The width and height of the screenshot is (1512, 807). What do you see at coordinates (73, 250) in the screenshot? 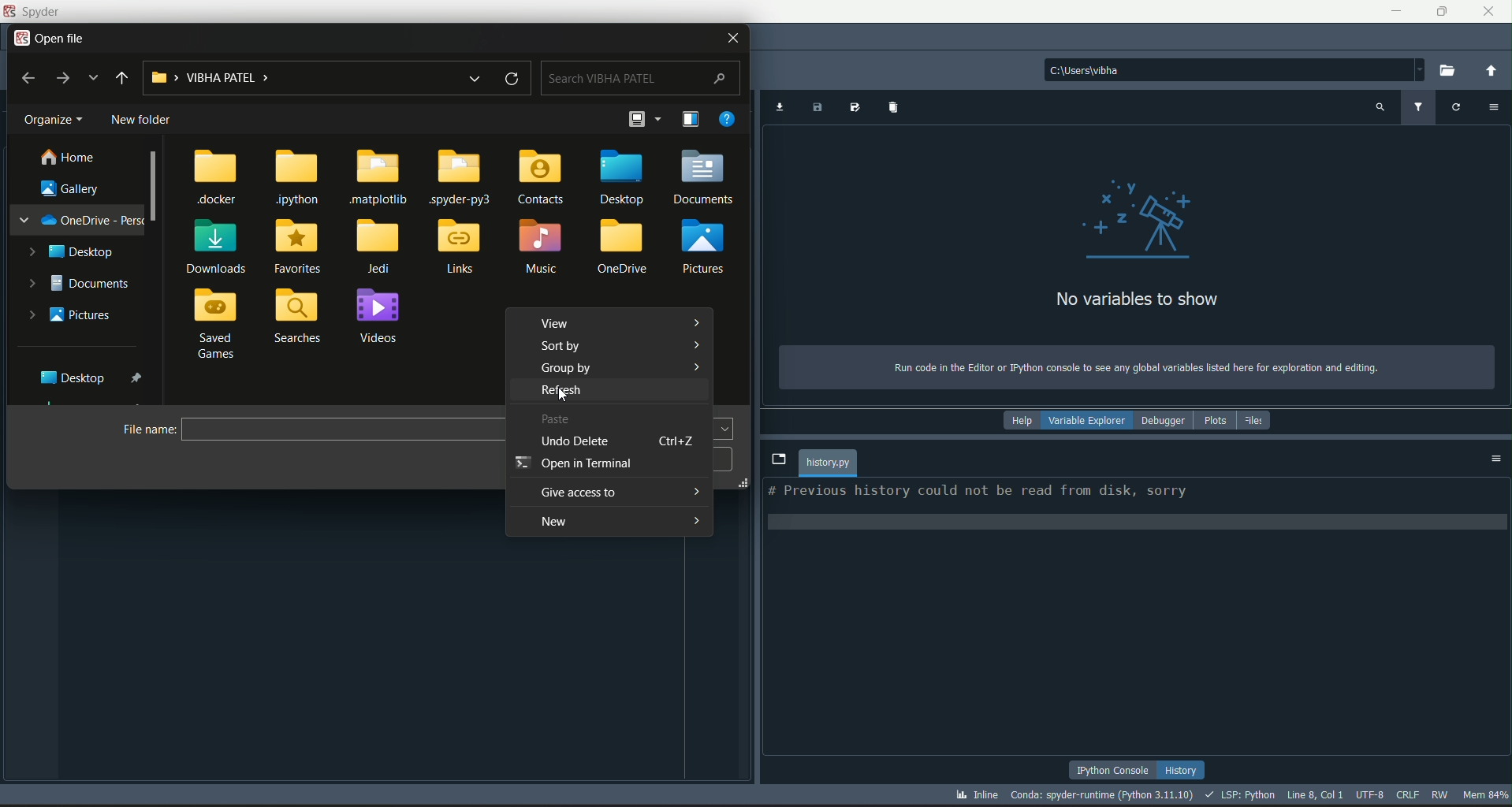
I see `desktop` at bounding box center [73, 250].